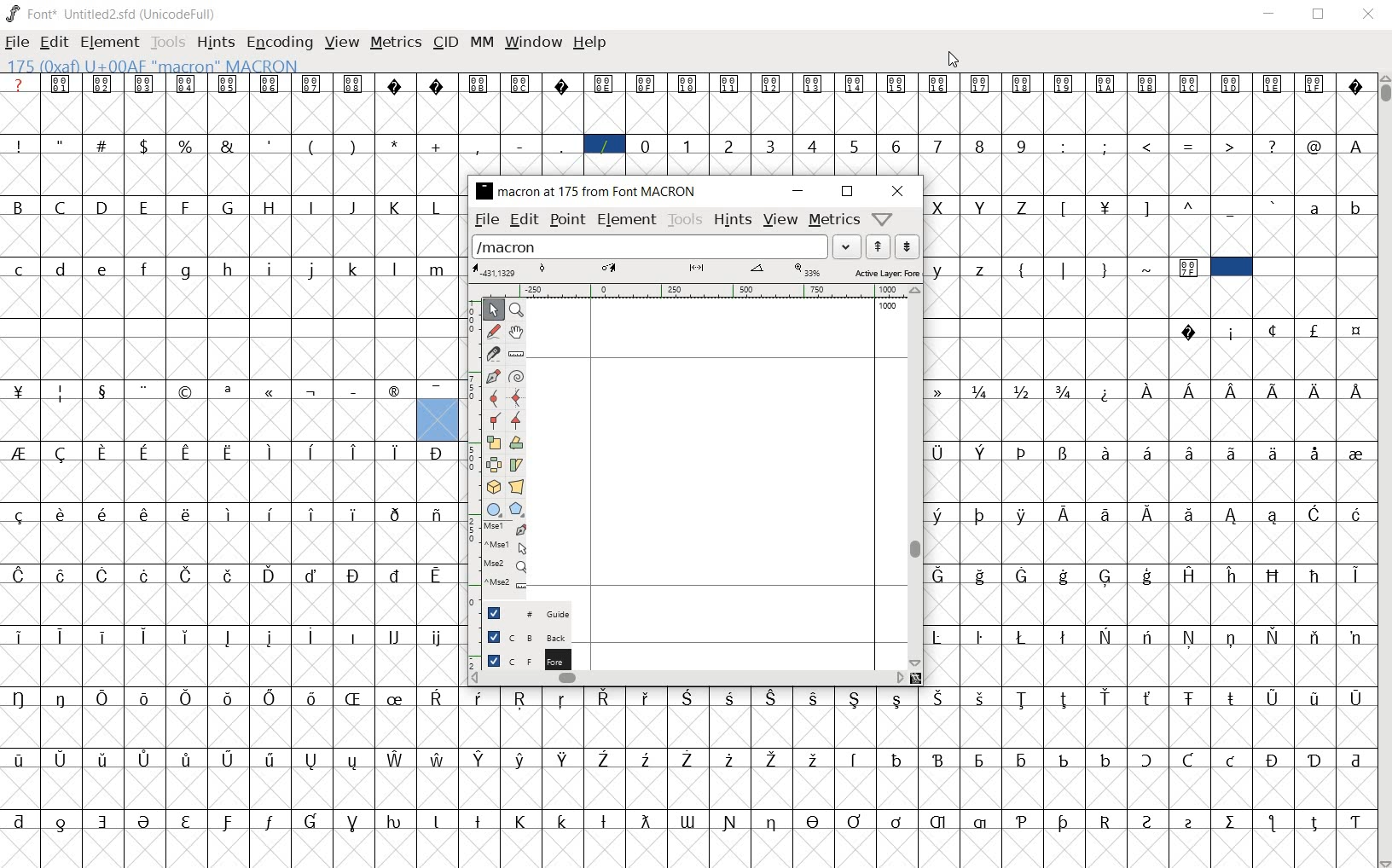 The width and height of the screenshot is (1392, 868). Describe the element at coordinates (1147, 206) in the screenshot. I see `]` at that location.